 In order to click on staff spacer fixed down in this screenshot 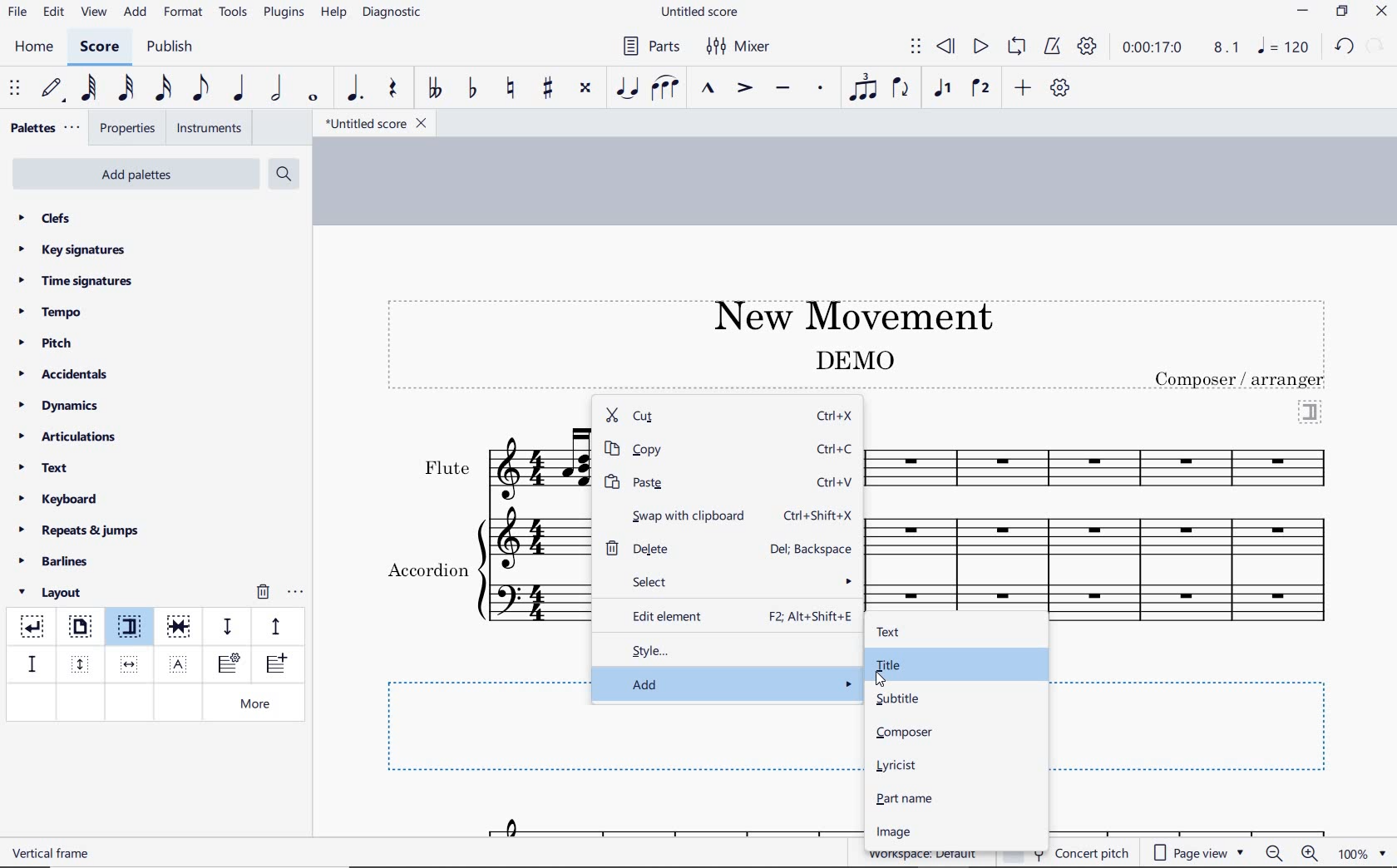, I will do `click(30, 663)`.